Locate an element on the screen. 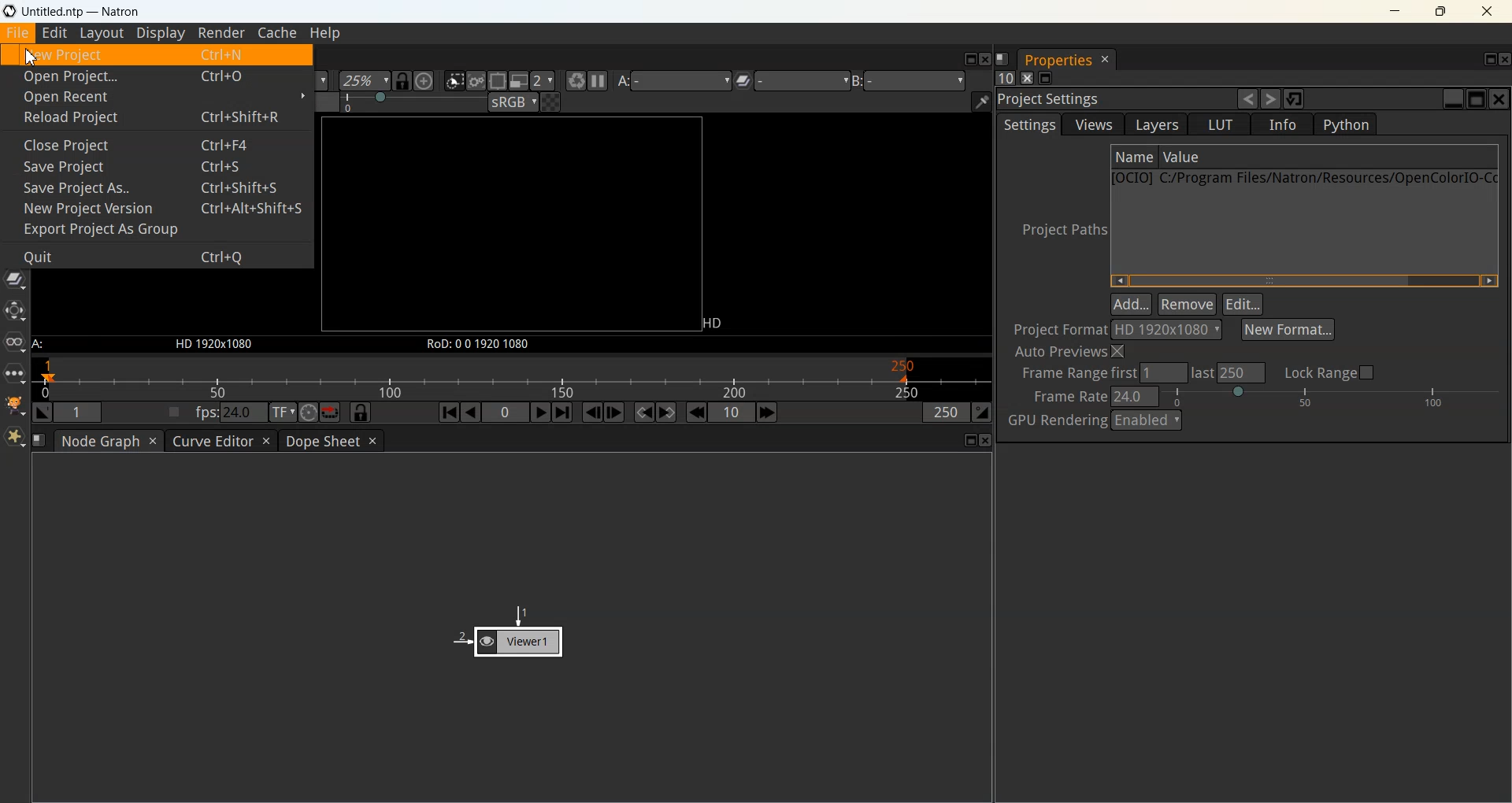 This screenshot has height=803, width=1512. Enter the factors  is located at coordinates (544, 81).